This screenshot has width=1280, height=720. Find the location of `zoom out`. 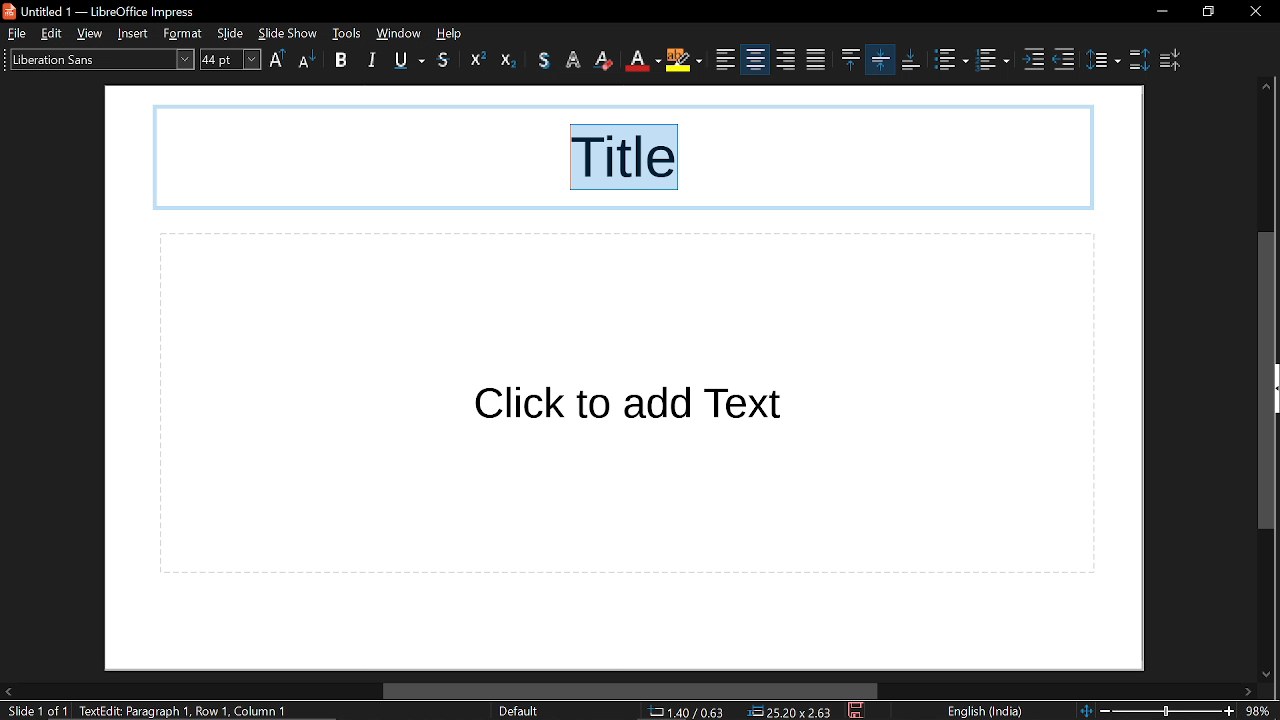

zoom out is located at coordinates (1105, 710).